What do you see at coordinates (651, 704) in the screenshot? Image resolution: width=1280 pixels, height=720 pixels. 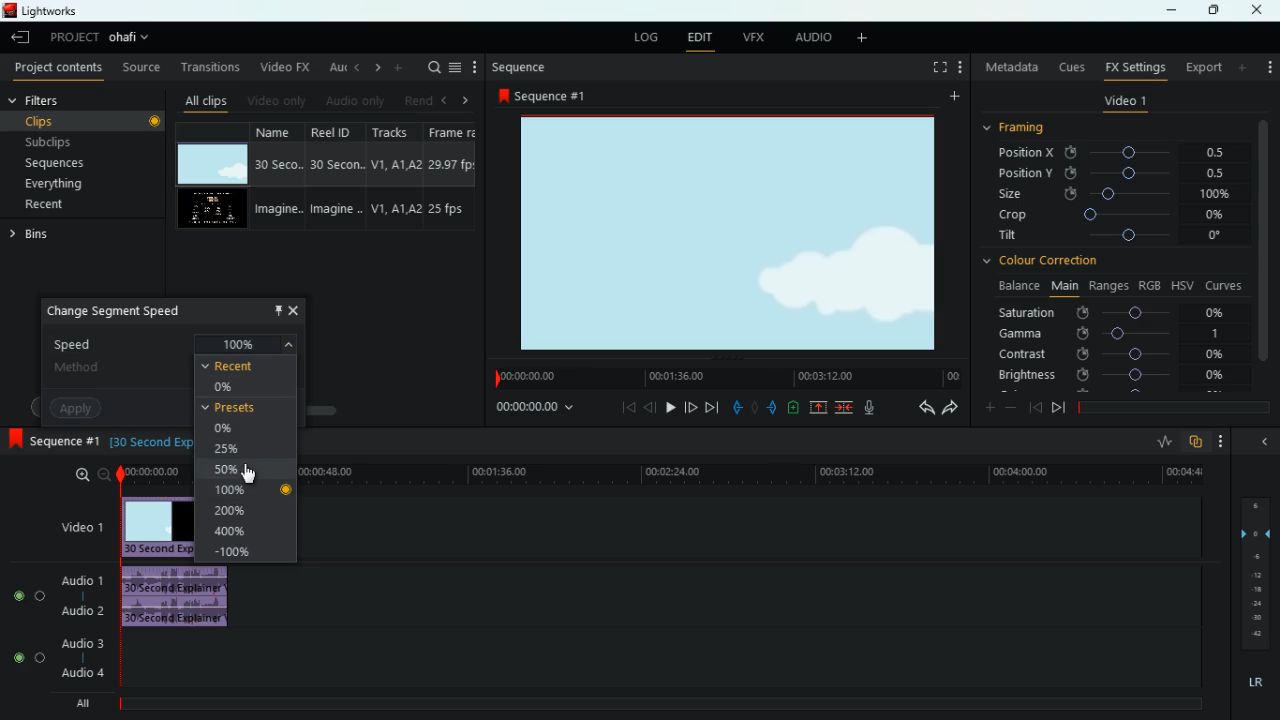 I see `timeline` at bounding box center [651, 704].